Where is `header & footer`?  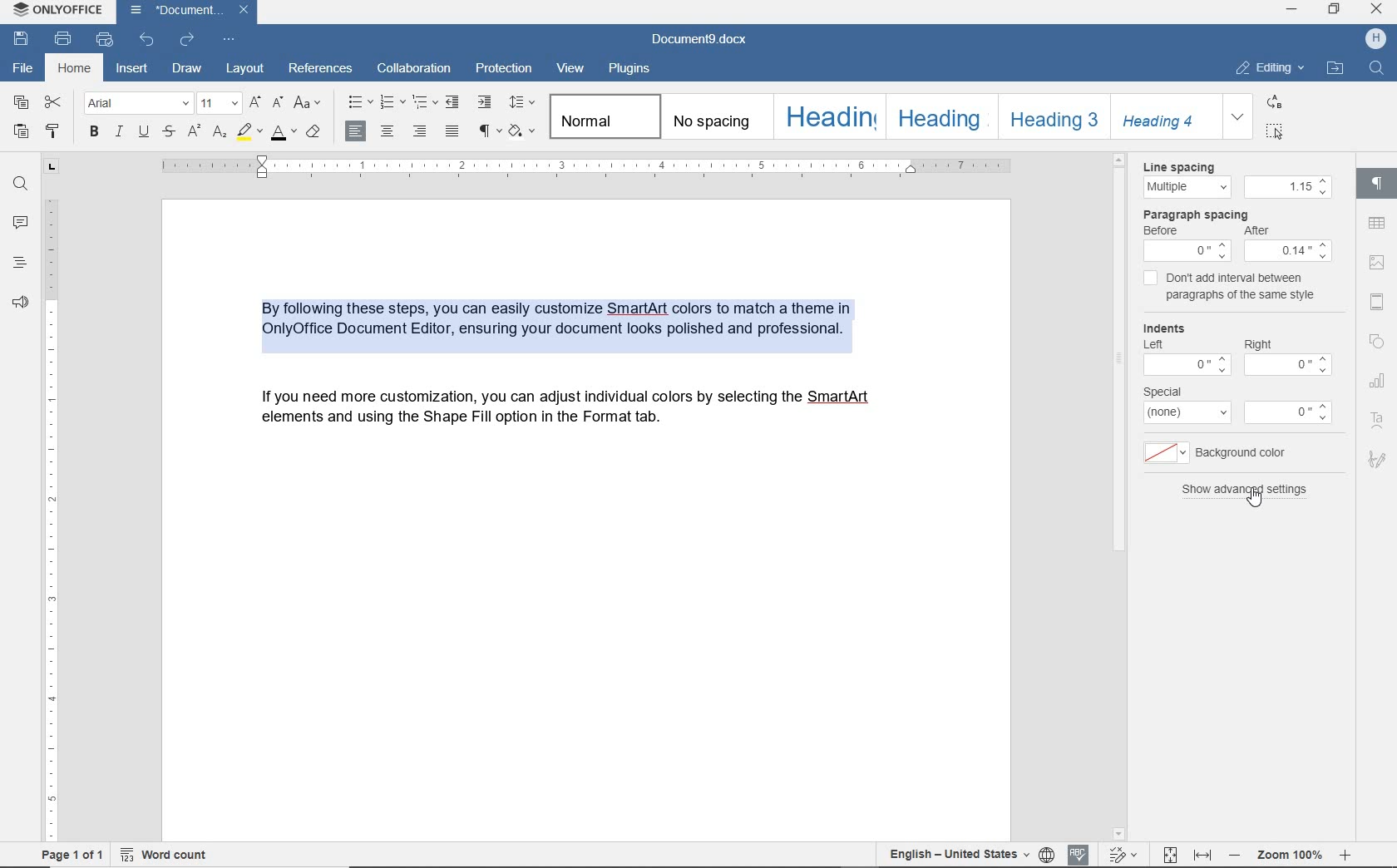 header & footer is located at coordinates (1380, 299).